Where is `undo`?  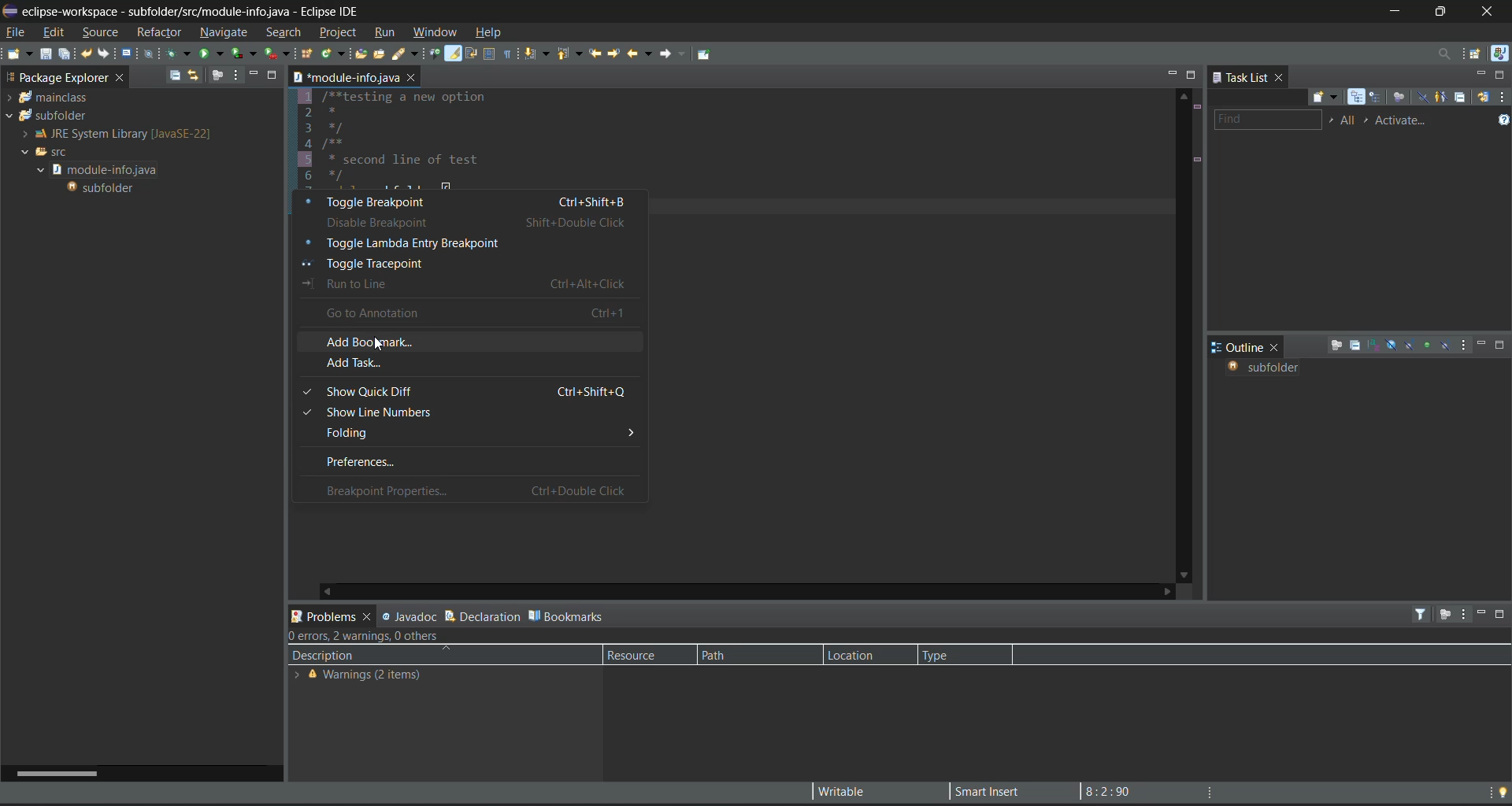
undo is located at coordinates (87, 54).